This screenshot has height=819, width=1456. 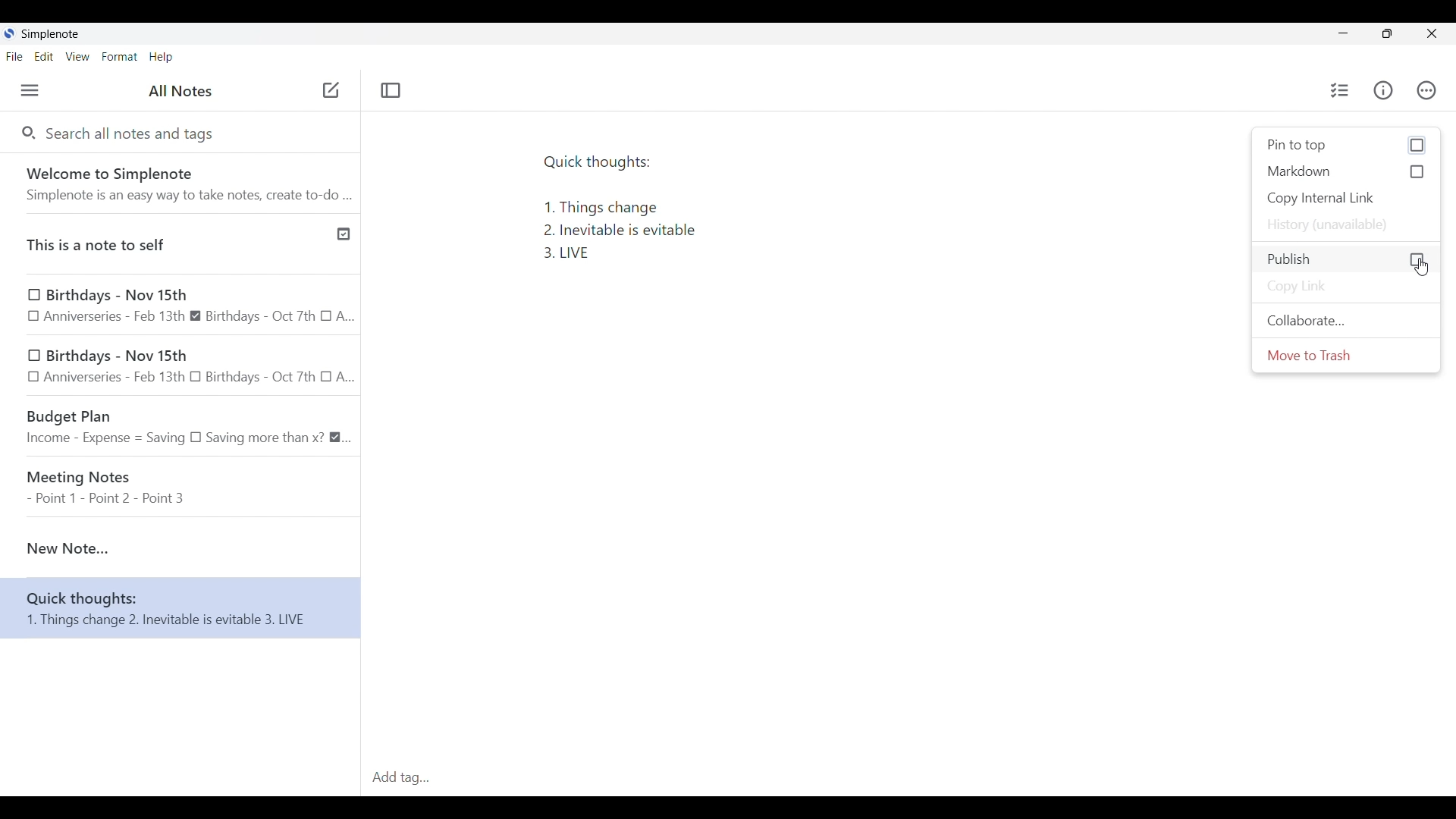 I want to click on File menu, so click(x=15, y=56).